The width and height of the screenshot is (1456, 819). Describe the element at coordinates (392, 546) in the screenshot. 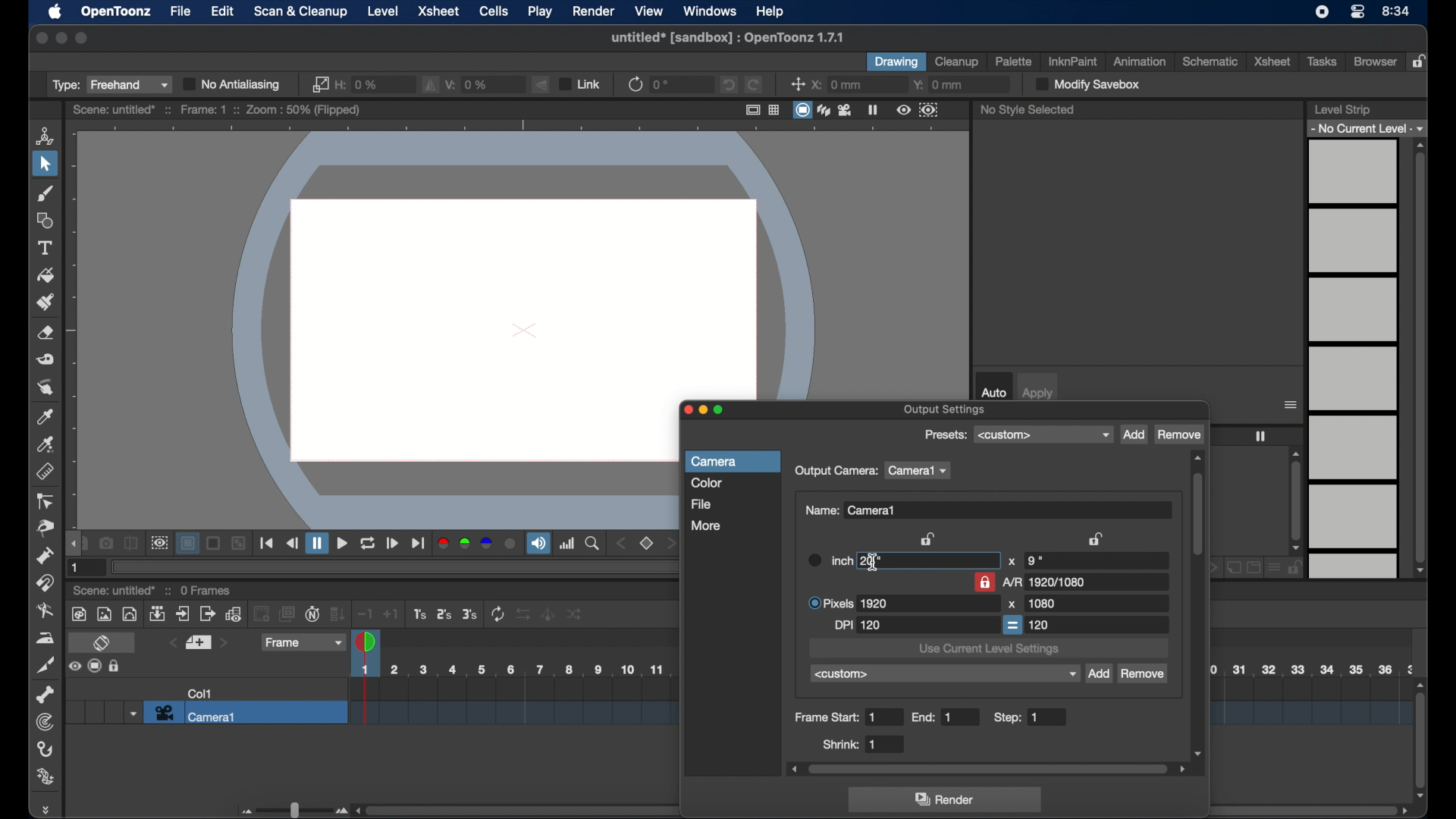

I see `` at that location.